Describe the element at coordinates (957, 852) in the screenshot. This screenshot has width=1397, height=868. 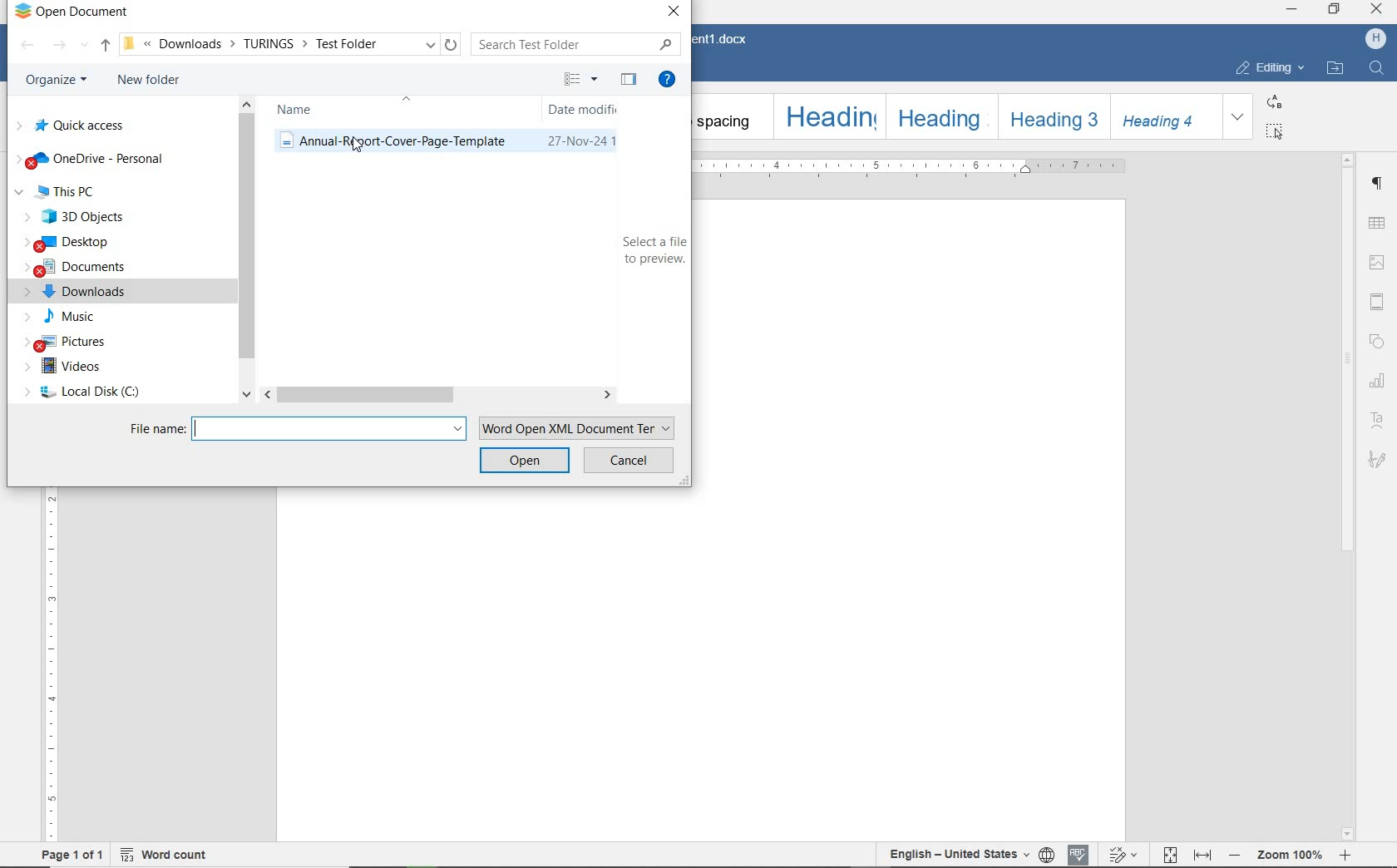
I see `text language` at that location.